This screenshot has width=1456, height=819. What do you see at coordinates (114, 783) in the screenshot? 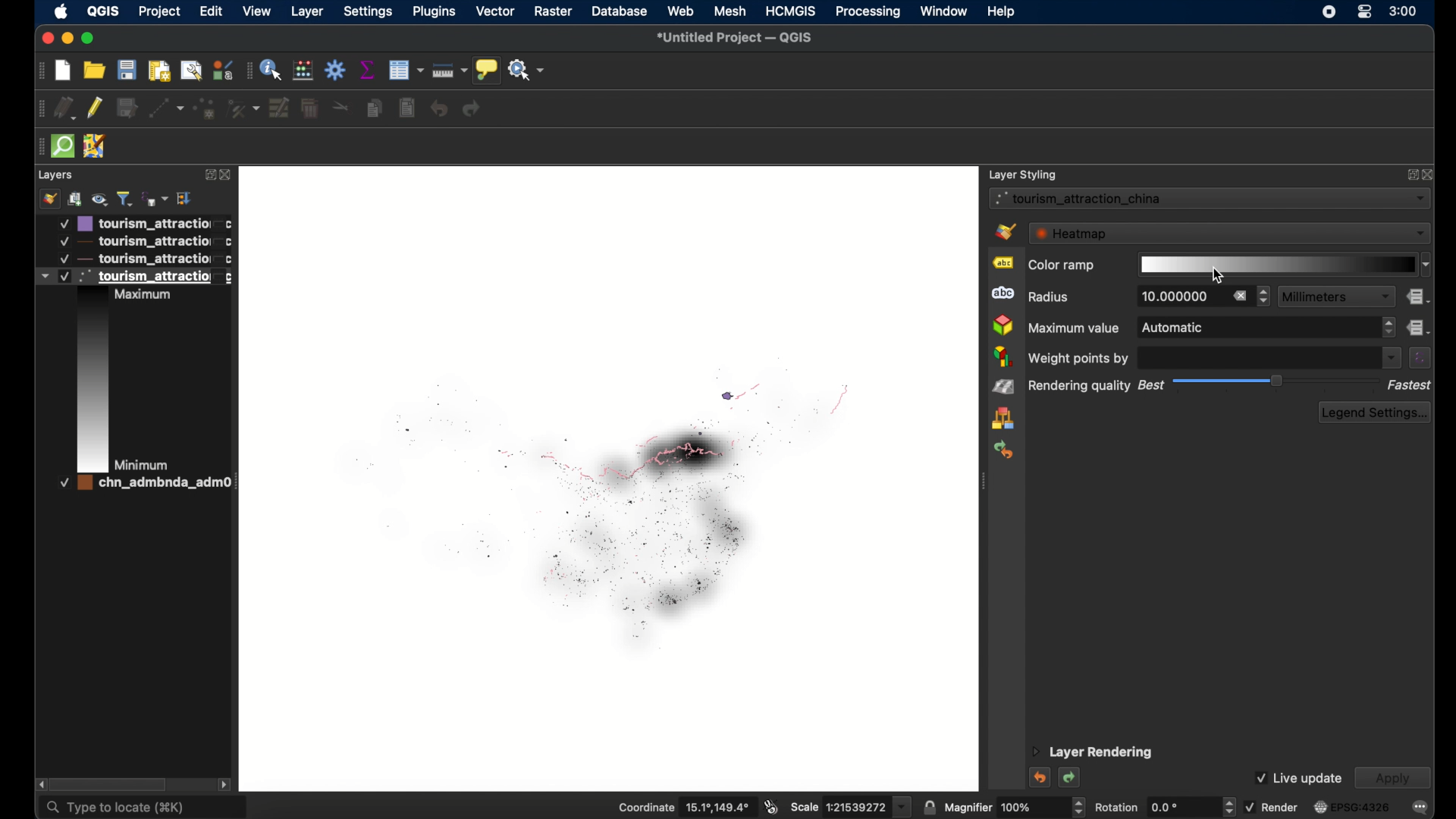
I see `scroll box` at bounding box center [114, 783].